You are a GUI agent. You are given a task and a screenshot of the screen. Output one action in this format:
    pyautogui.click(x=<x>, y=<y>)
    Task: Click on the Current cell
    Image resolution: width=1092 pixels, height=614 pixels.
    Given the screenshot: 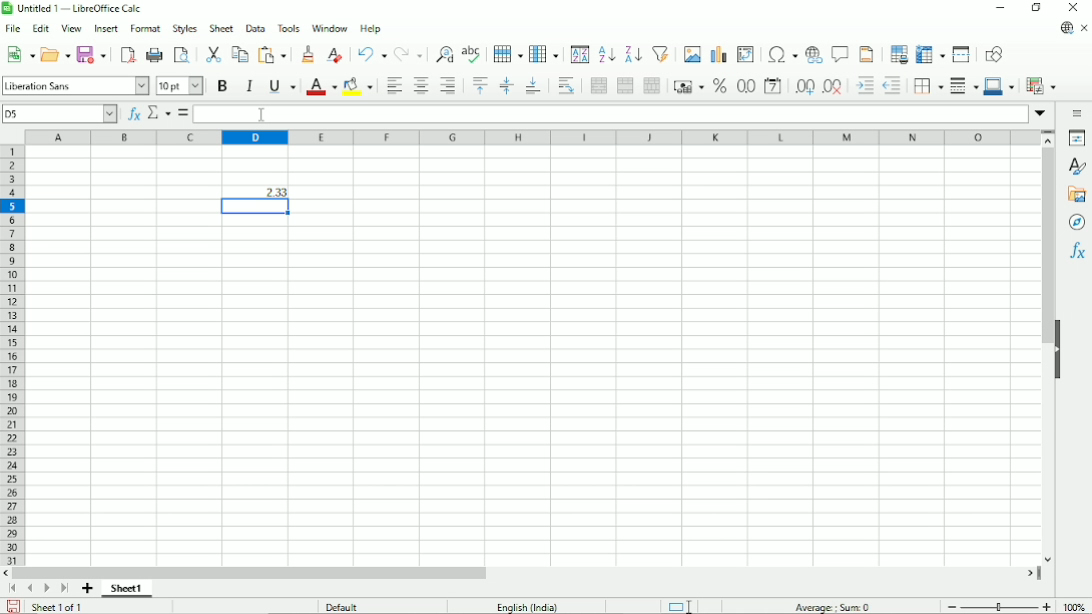 What is the action you would take?
    pyautogui.click(x=59, y=114)
    